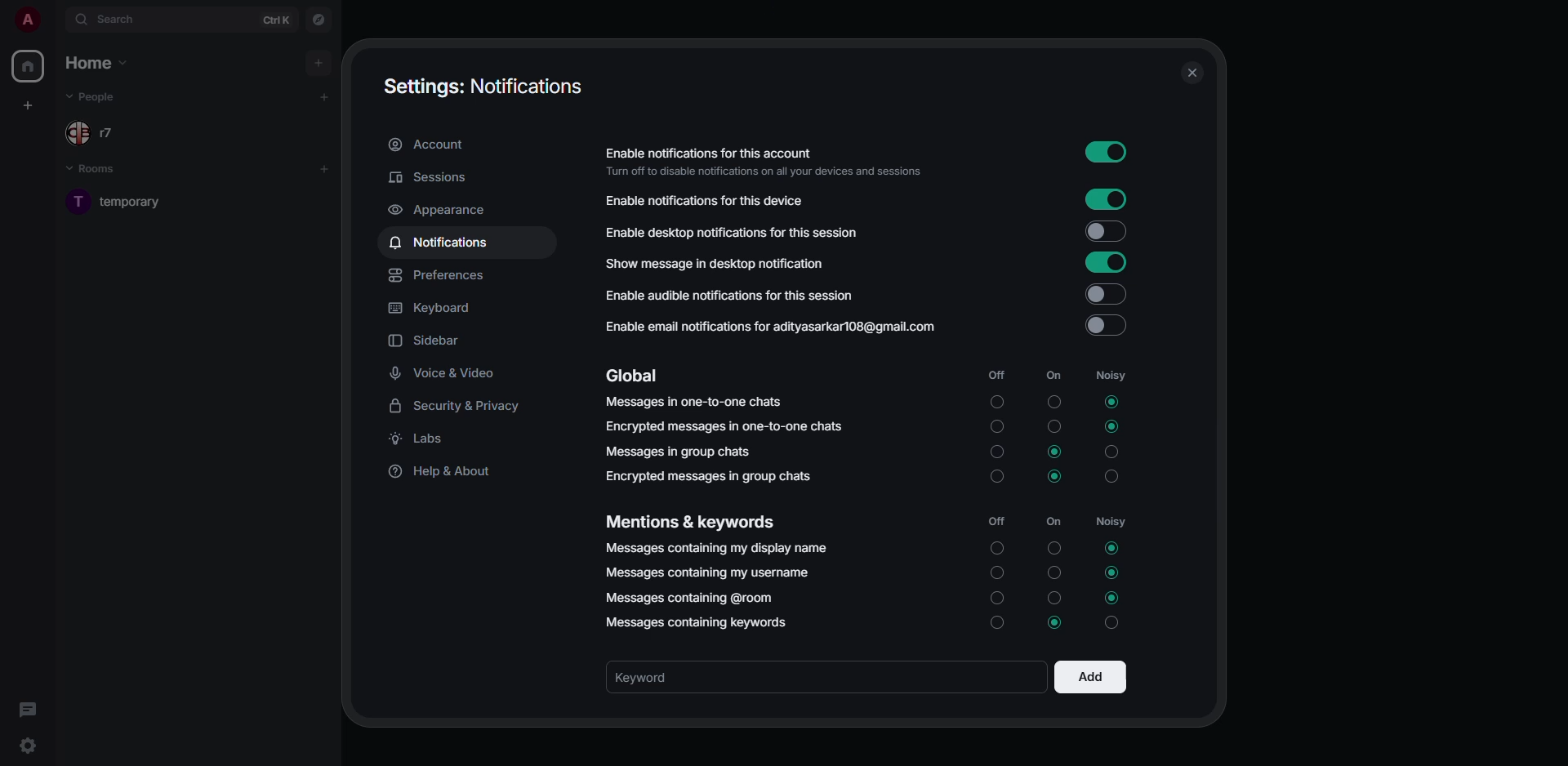  I want to click on account, so click(432, 145).